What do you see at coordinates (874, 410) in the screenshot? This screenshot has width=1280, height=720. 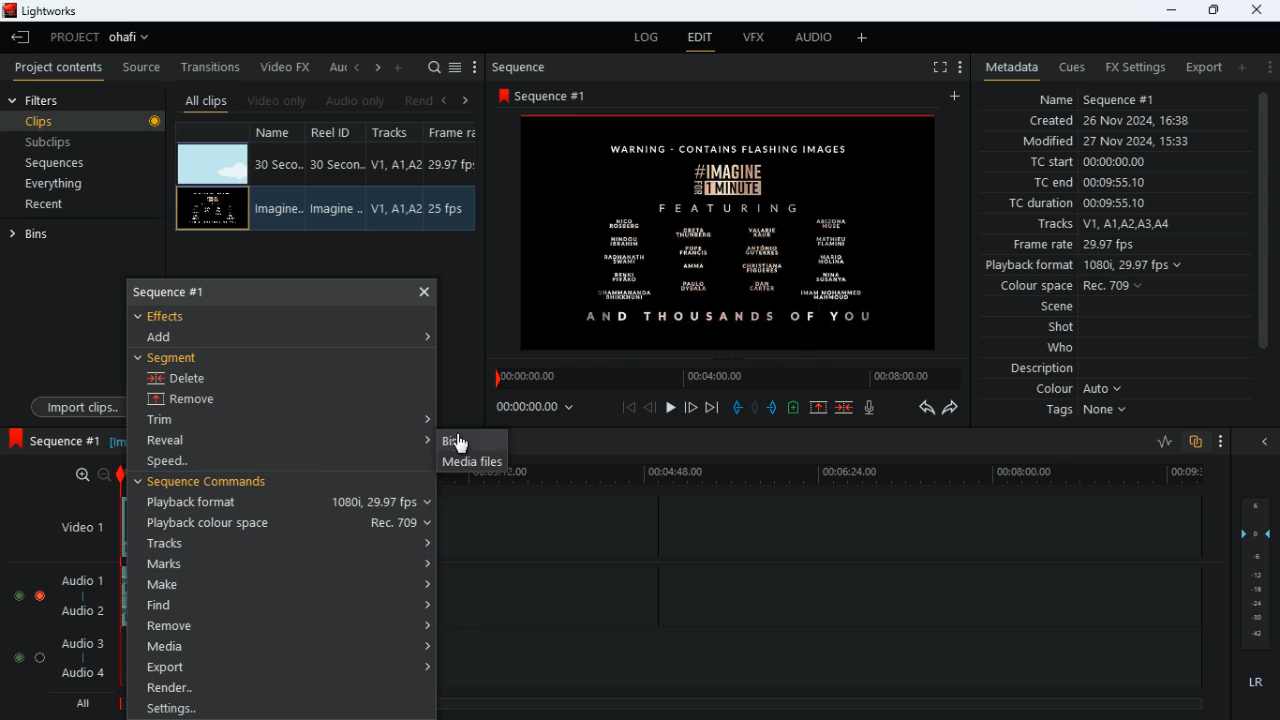 I see `mic` at bounding box center [874, 410].